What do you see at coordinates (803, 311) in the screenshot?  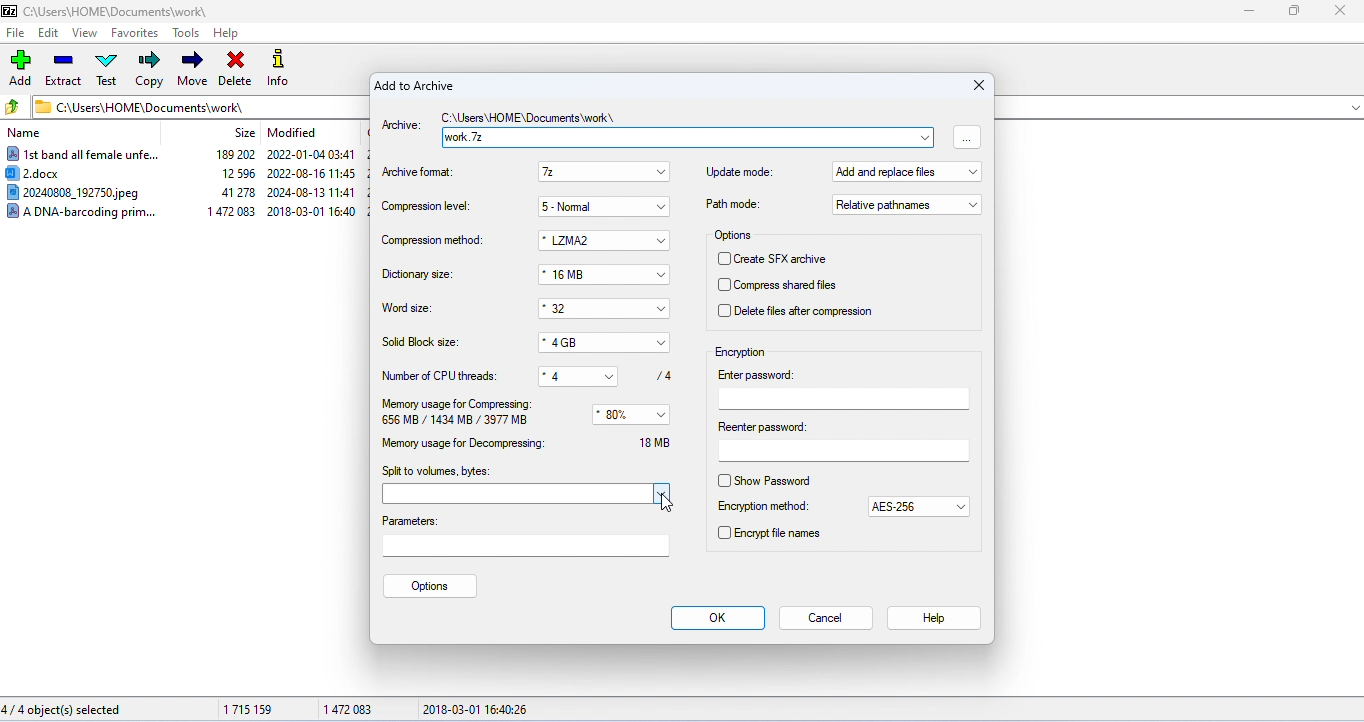 I see `delete files after compression` at bounding box center [803, 311].